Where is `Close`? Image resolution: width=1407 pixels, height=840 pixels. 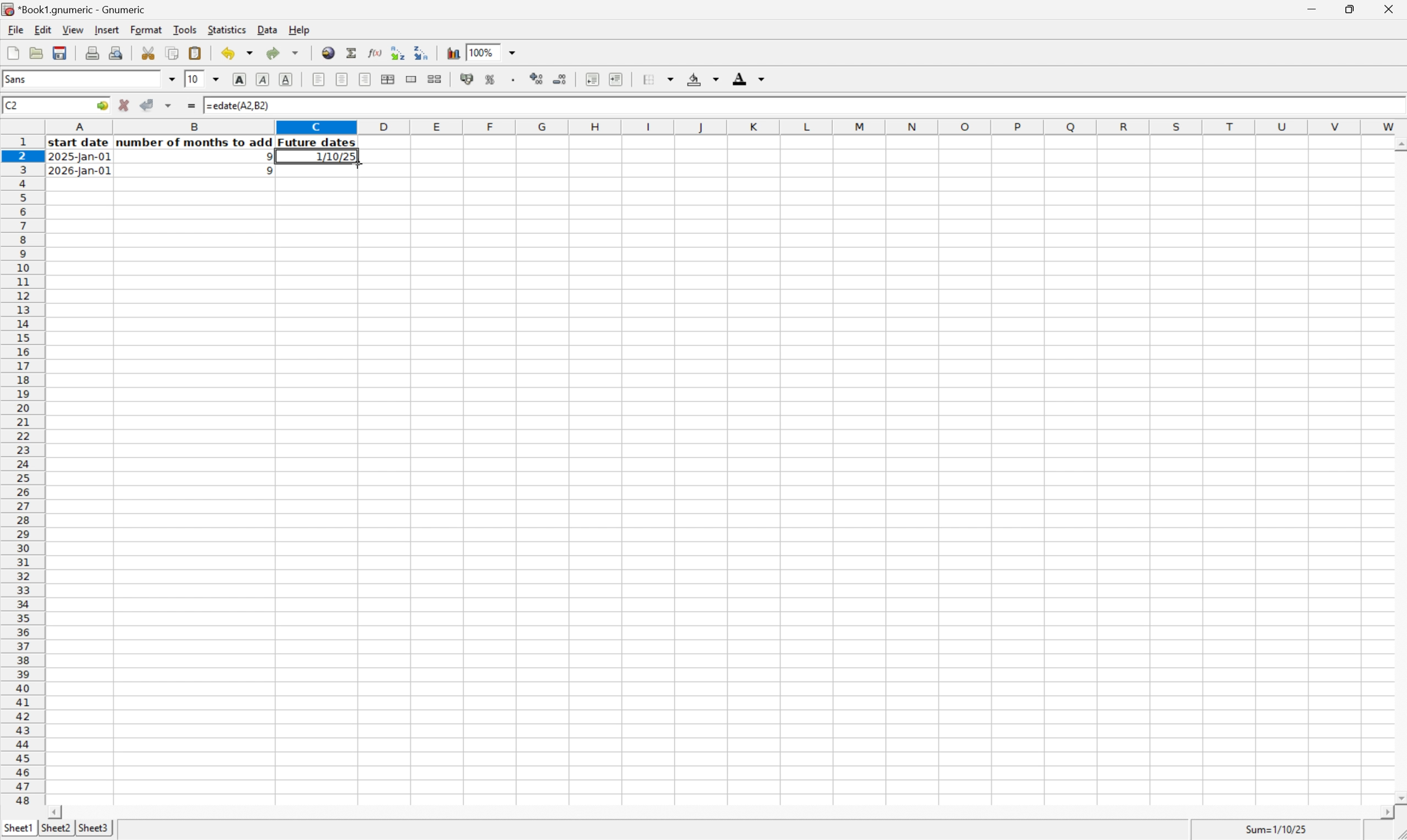
Close is located at coordinates (1390, 7).